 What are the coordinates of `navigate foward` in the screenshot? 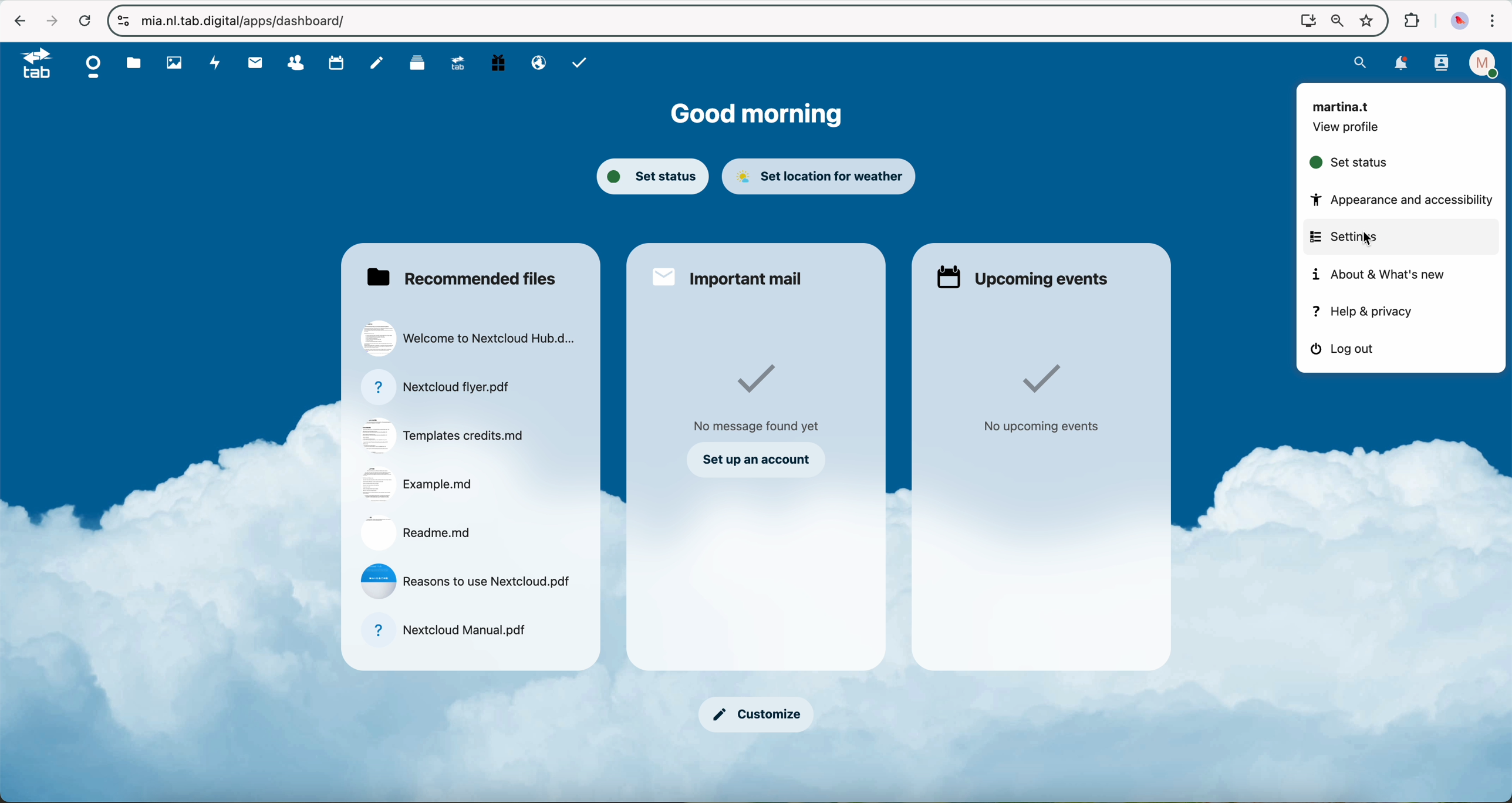 It's located at (48, 19).